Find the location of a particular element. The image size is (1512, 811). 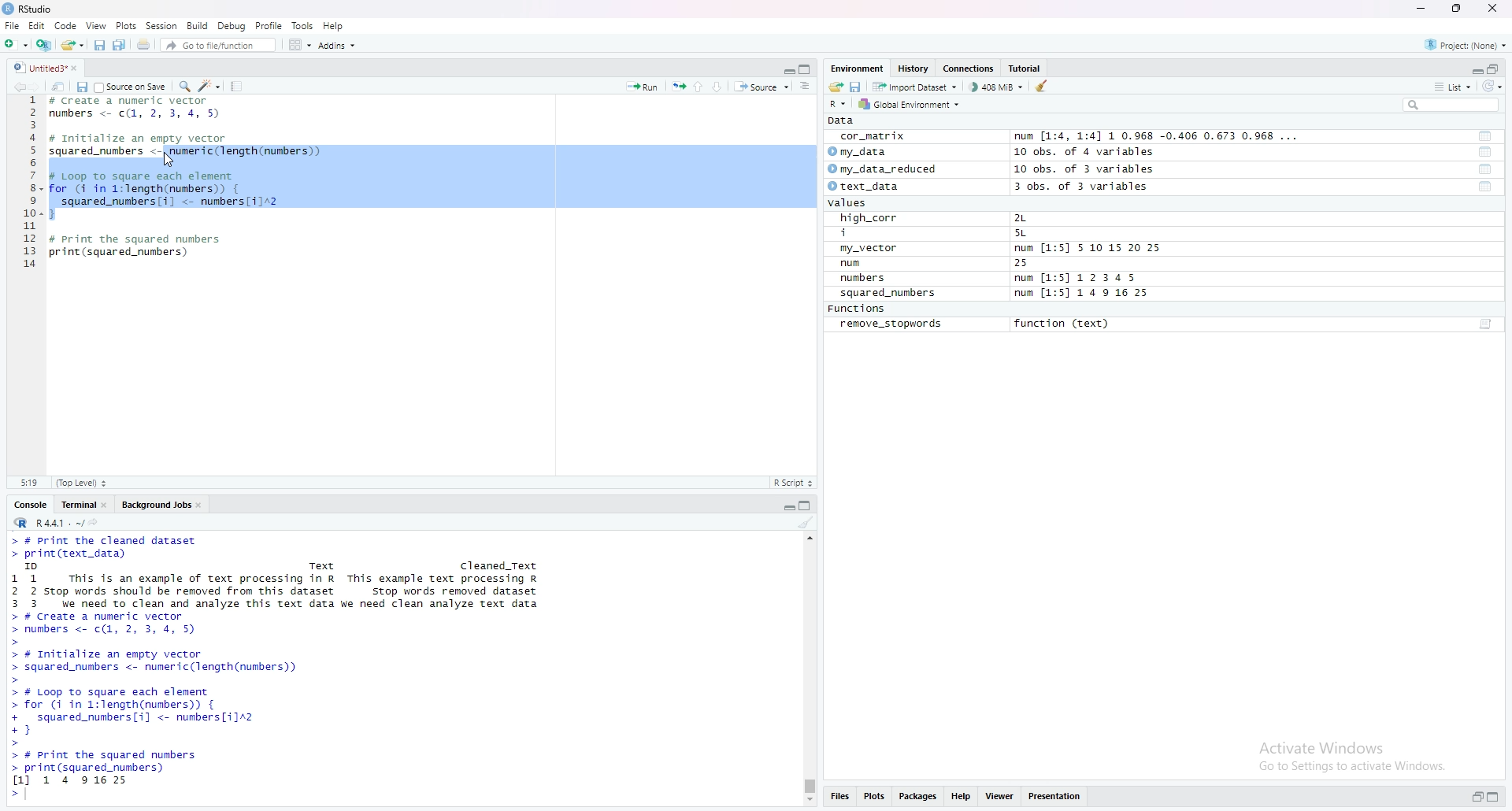

R Script is located at coordinates (793, 482).